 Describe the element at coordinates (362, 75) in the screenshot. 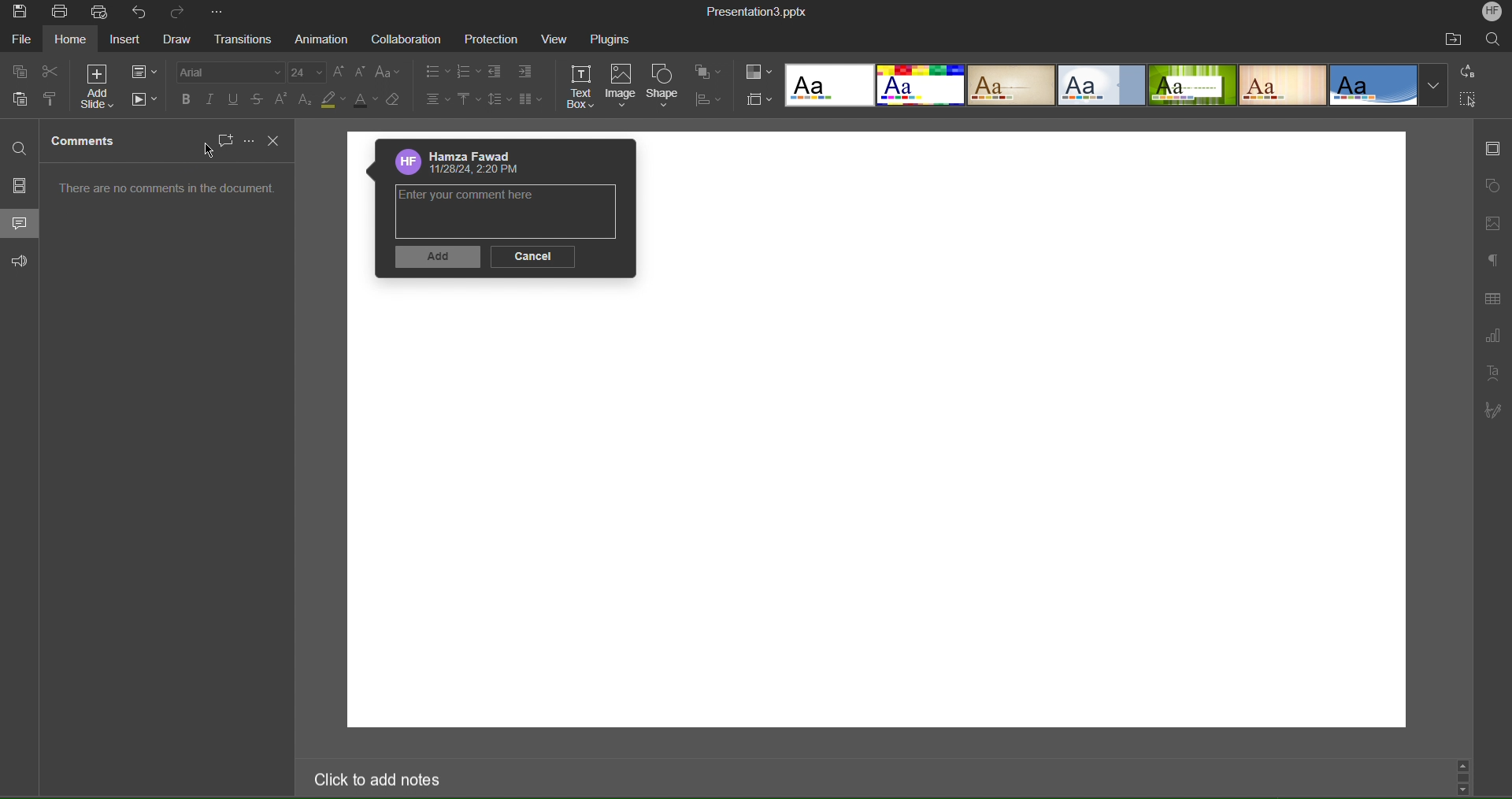

I see `Decrease Size` at that location.